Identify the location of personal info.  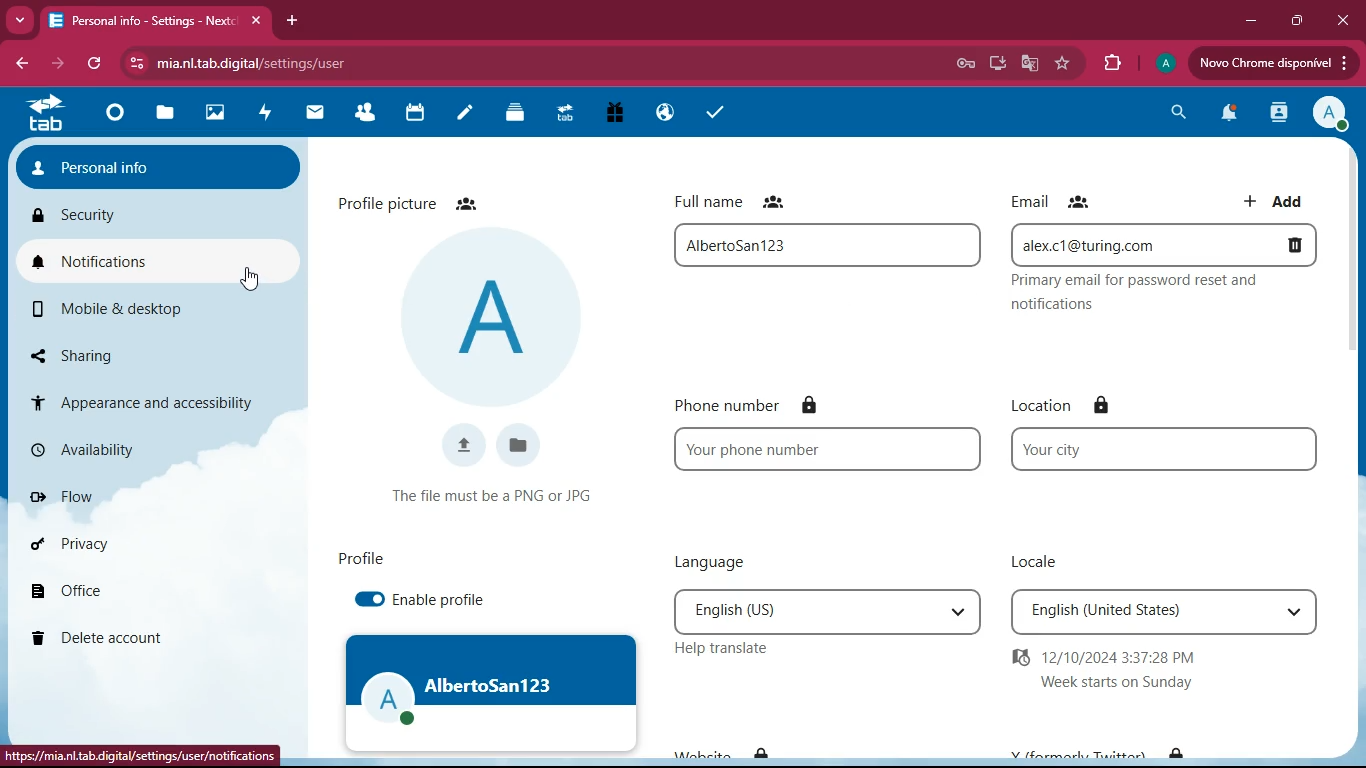
(161, 161).